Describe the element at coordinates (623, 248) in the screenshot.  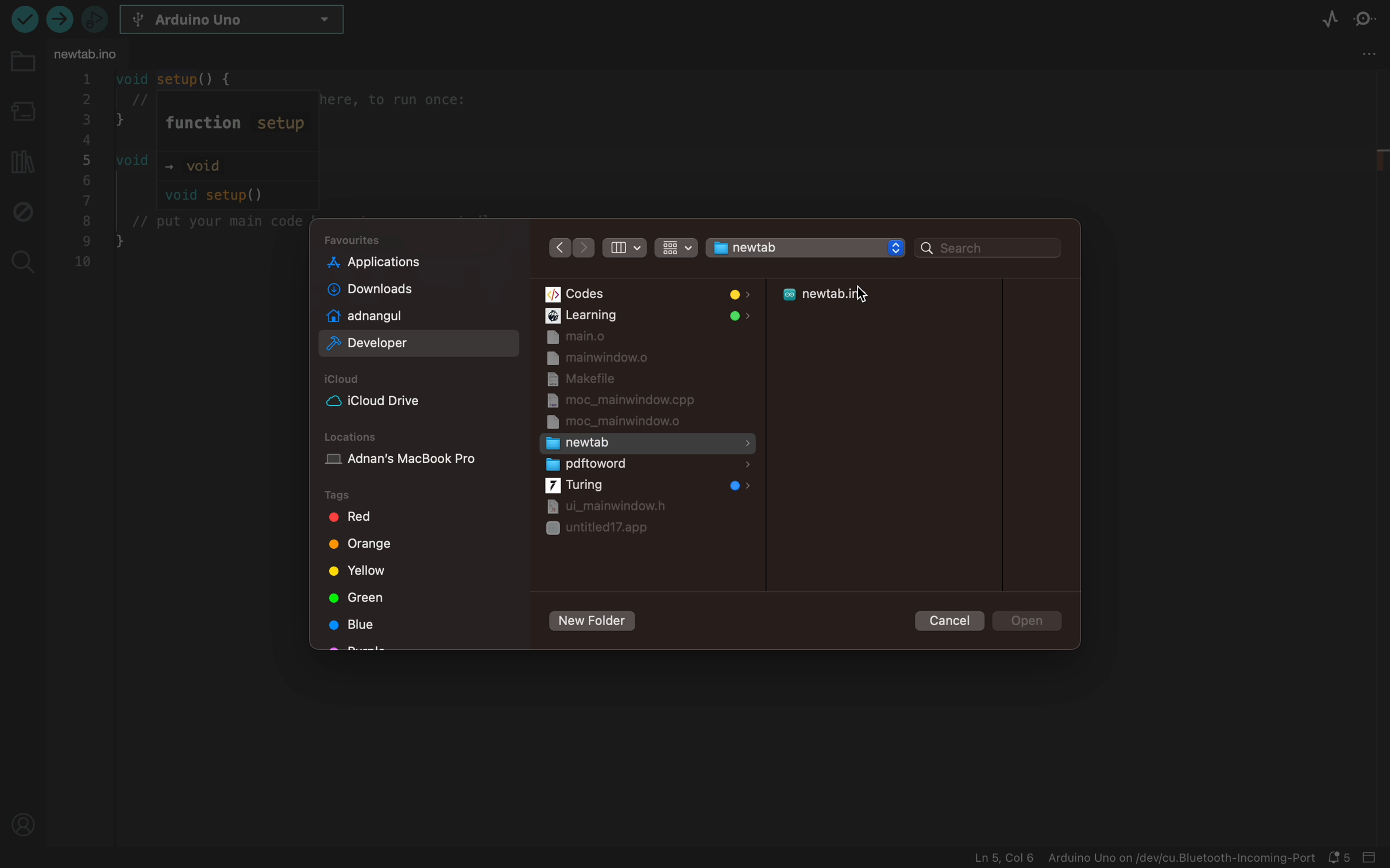
I see `column filter` at that location.